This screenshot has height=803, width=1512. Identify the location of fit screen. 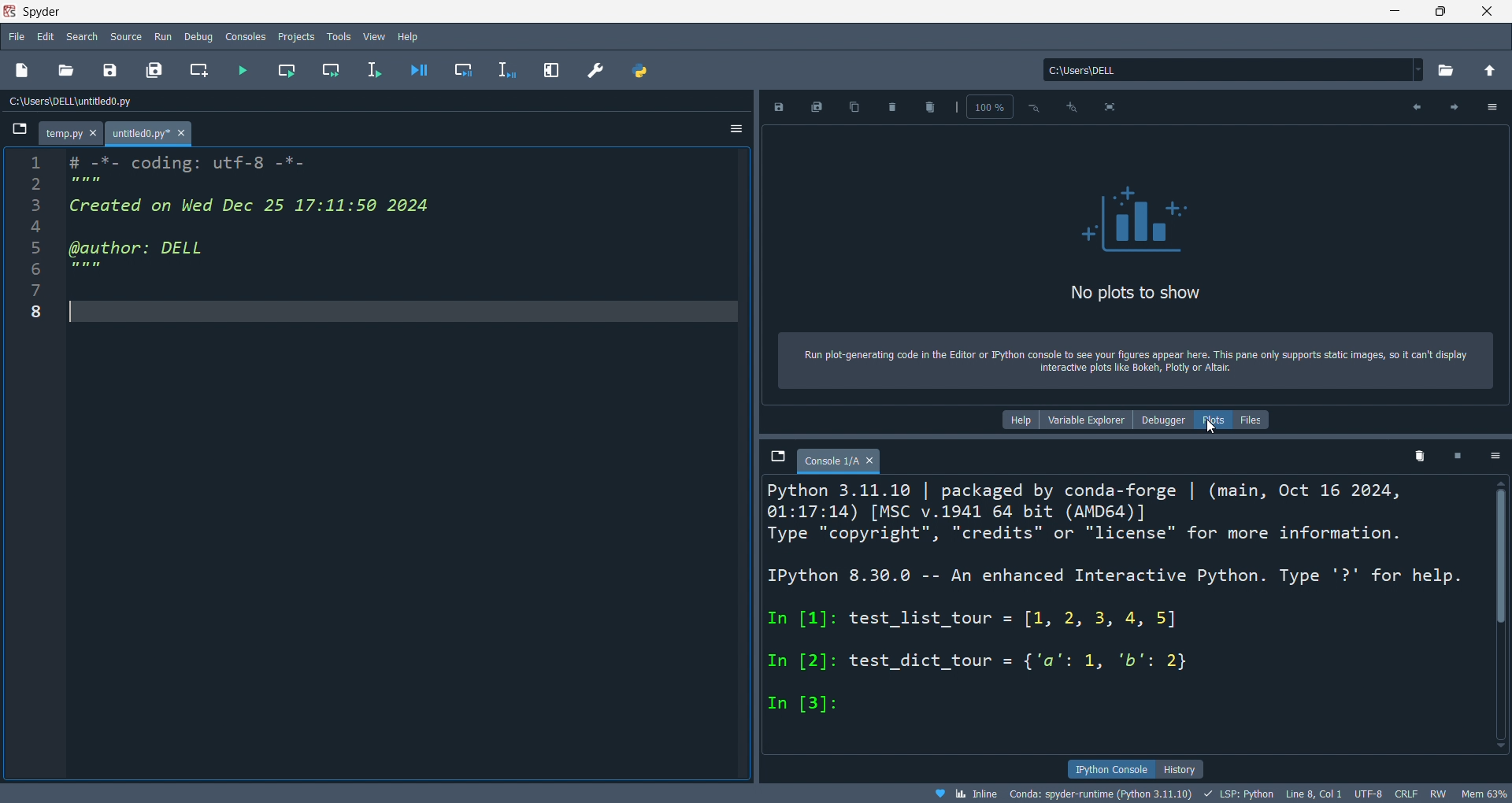
(1110, 106).